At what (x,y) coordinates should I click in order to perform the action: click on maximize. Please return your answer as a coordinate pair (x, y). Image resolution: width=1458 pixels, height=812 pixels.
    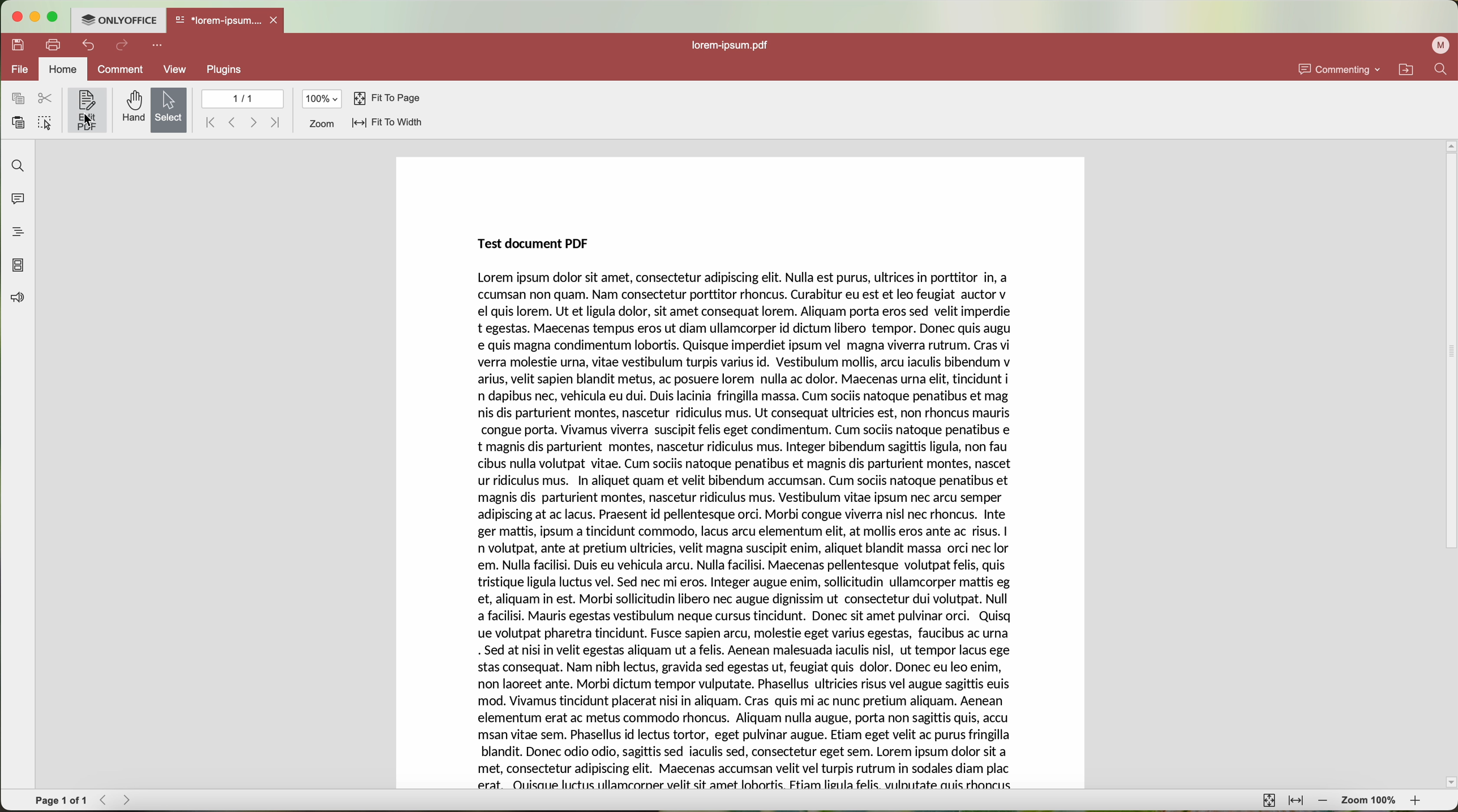
    Looking at the image, I should click on (57, 18).